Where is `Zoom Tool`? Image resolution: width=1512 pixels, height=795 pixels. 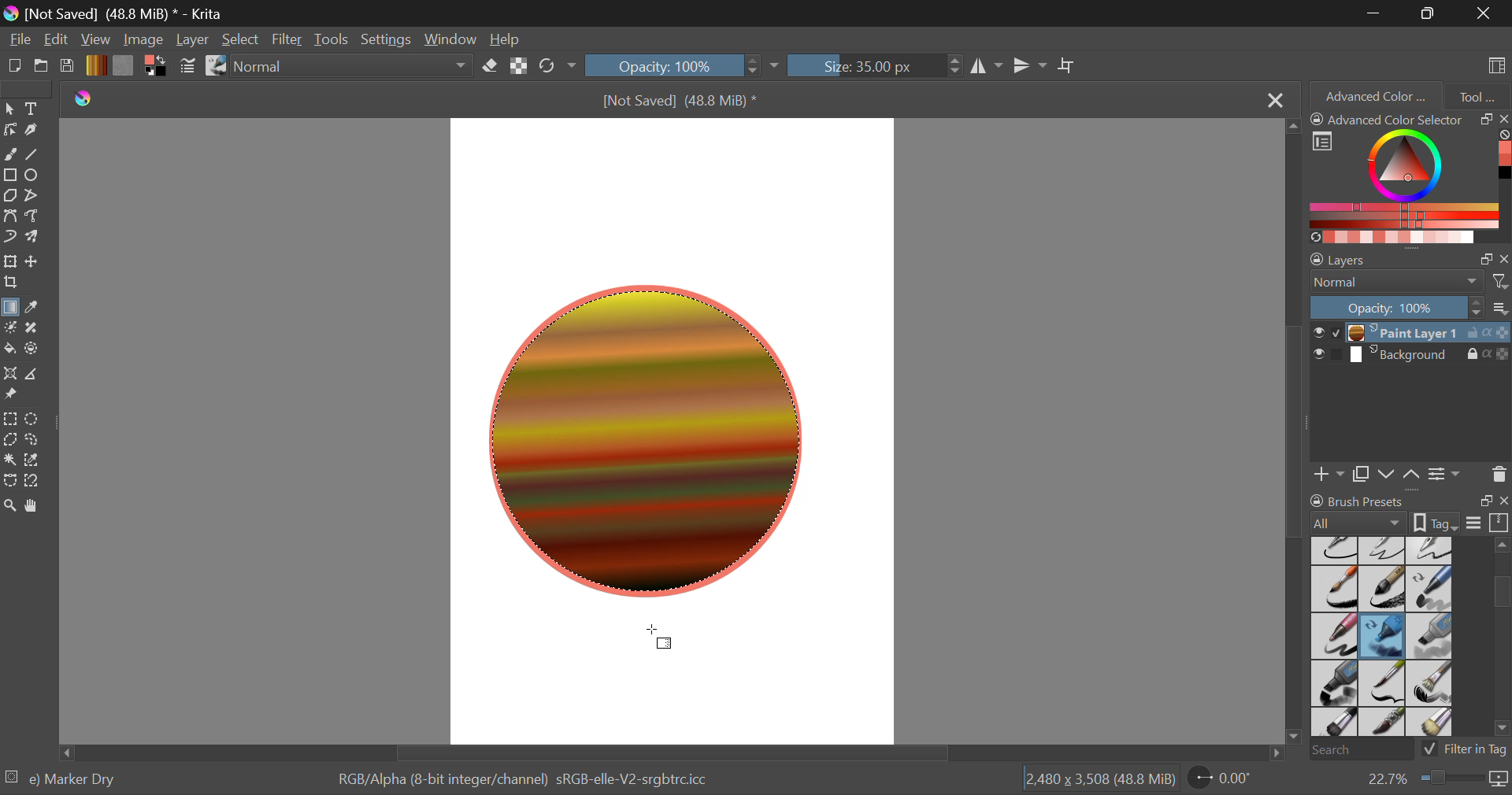 Zoom Tool is located at coordinates (10, 505).